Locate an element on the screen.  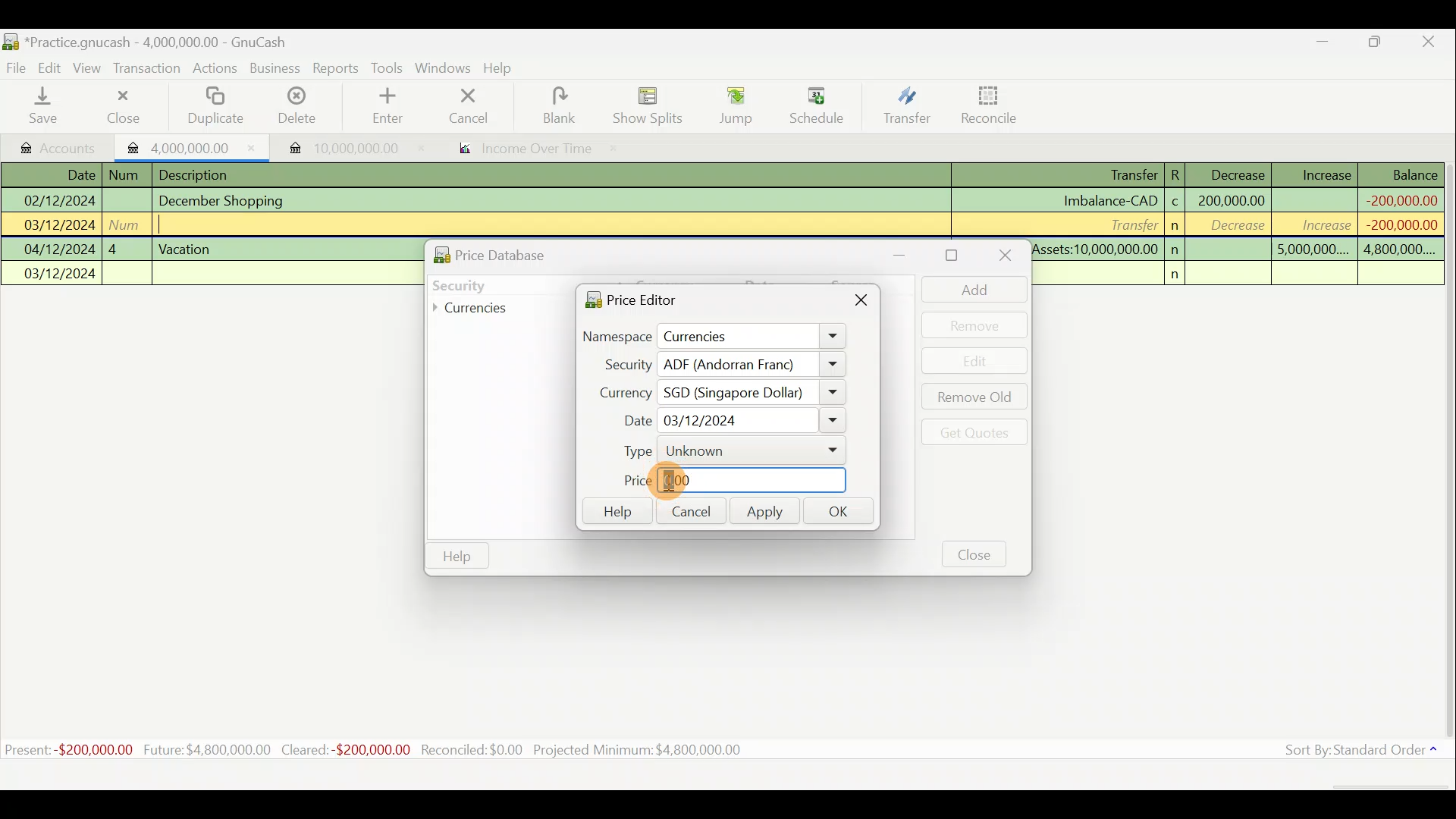
Get quotes is located at coordinates (971, 431).